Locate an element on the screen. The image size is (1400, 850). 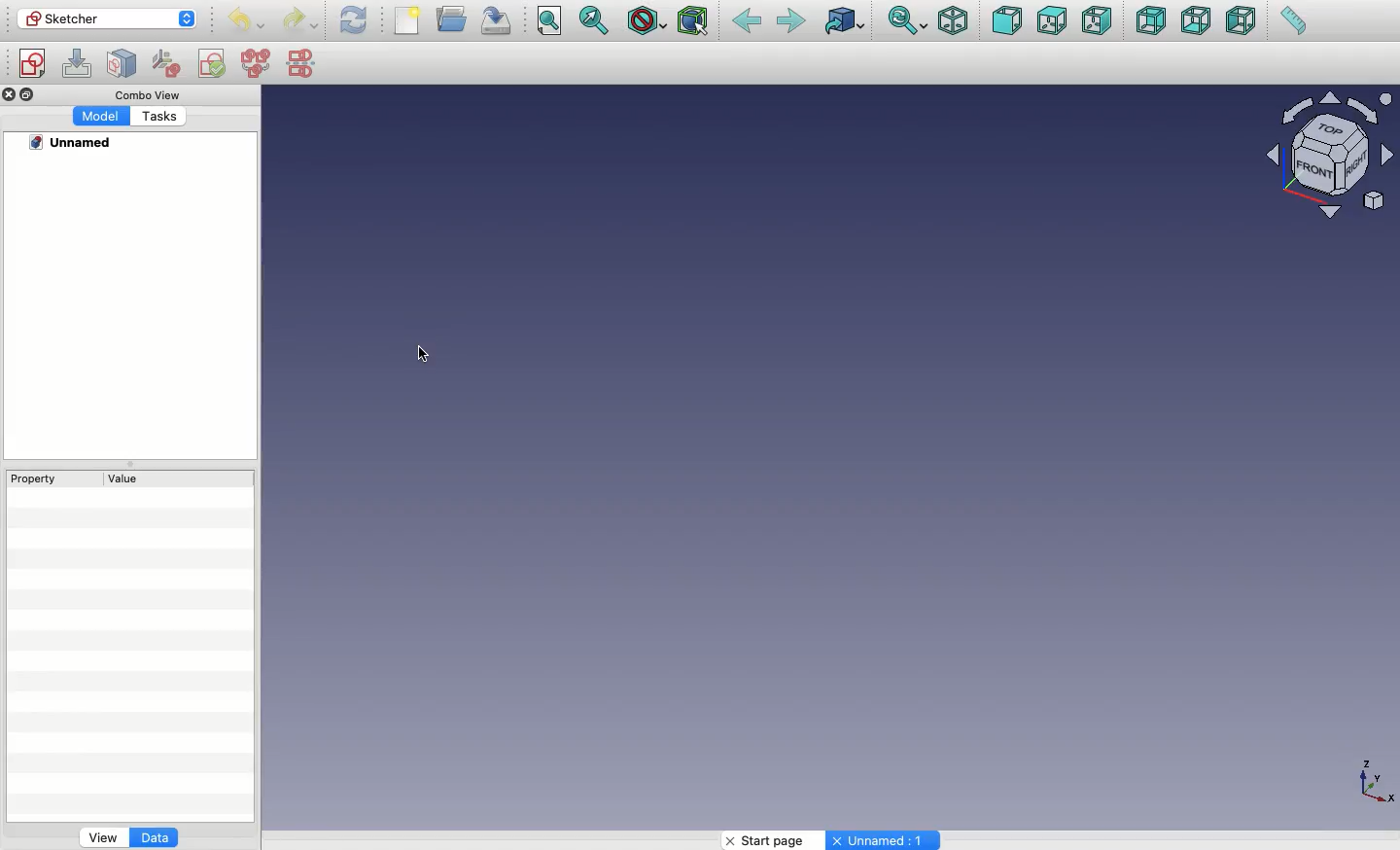
Fit selection is located at coordinates (594, 20).